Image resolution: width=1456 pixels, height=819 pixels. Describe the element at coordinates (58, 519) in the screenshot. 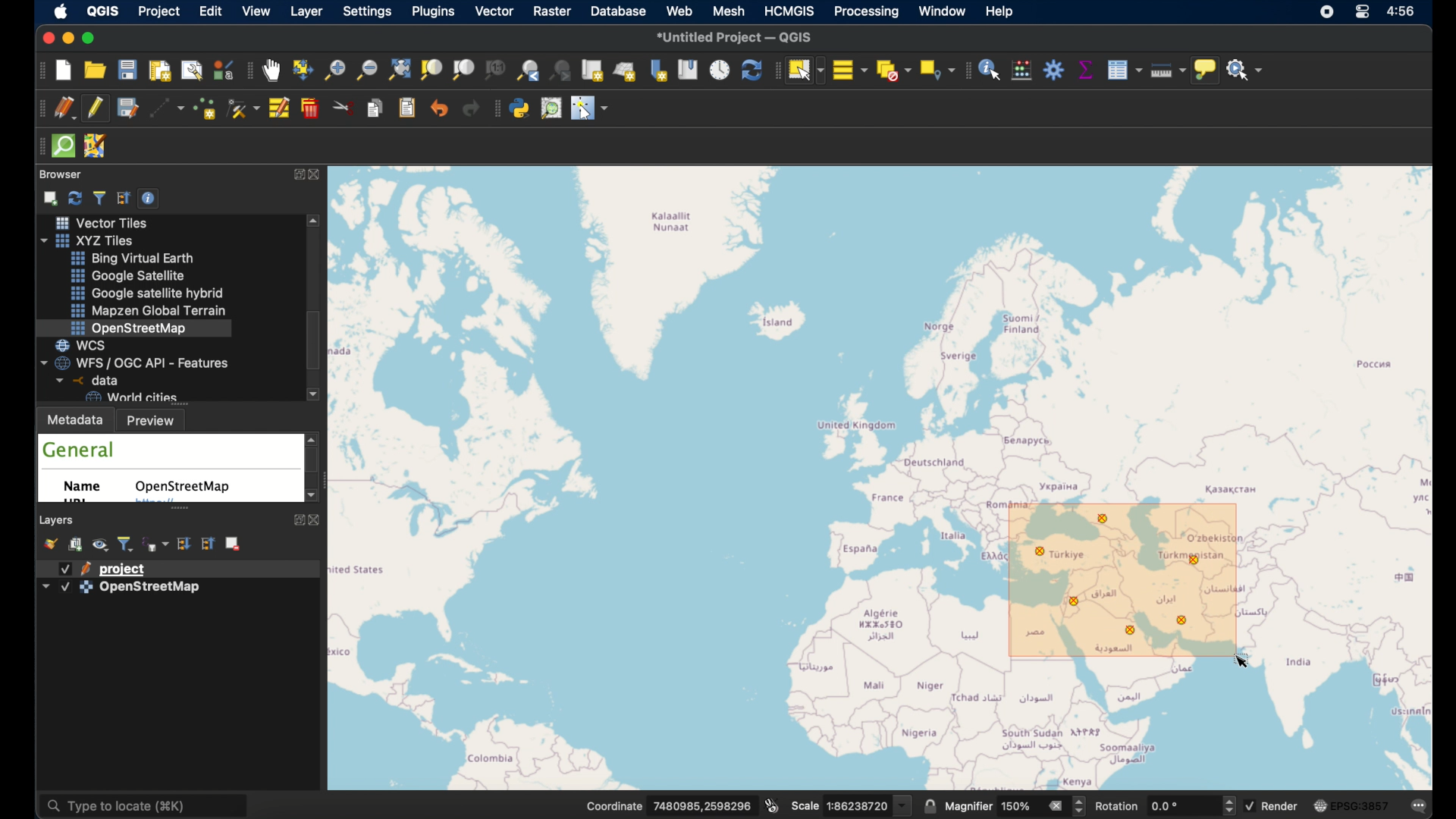

I see `layers` at that location.